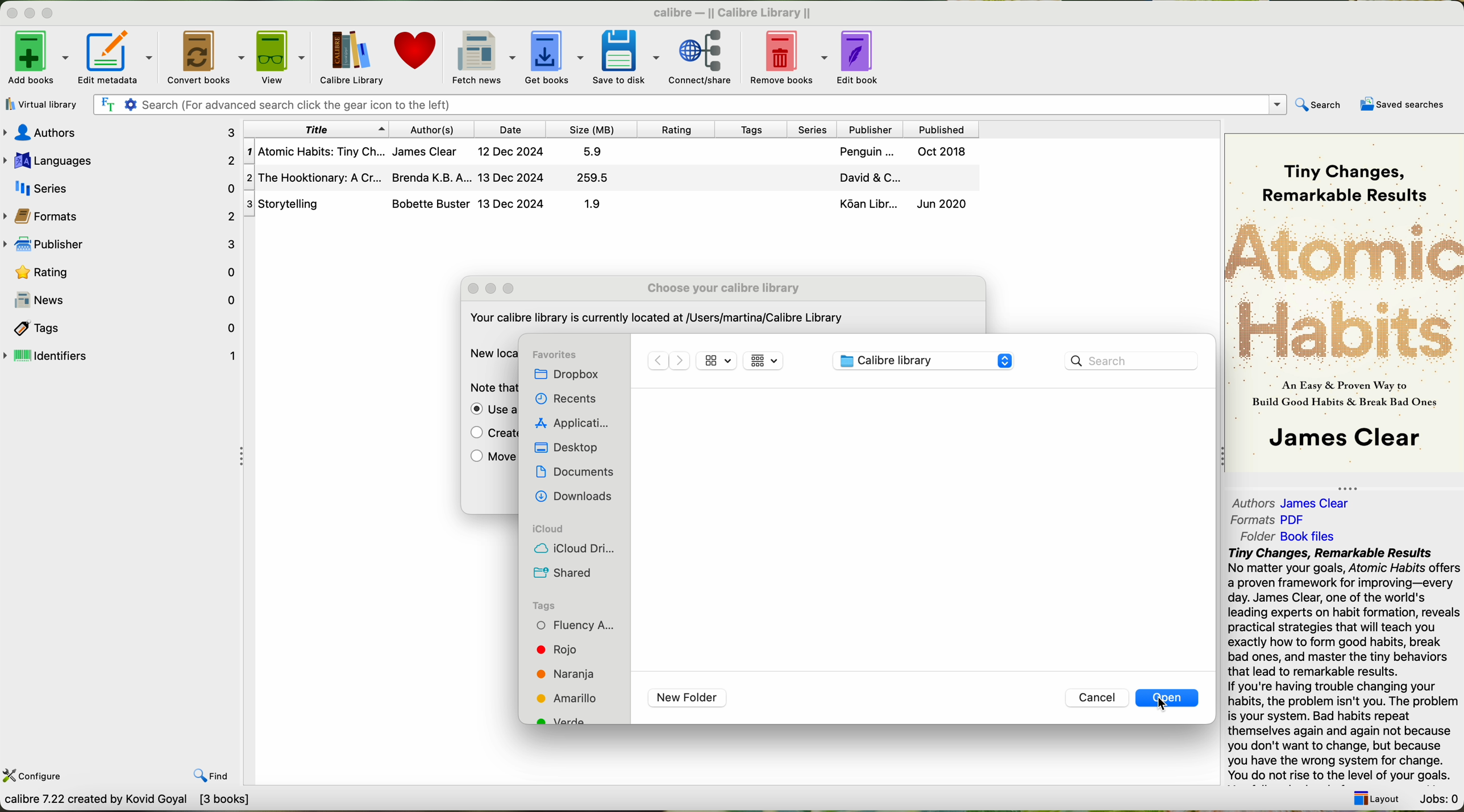 This screenshot has width=1464, height=812. Describe the element at coordinates (690, 104) in the screenshot. I see `Search (For advanced search click the gear icon to the left) ` at that location.